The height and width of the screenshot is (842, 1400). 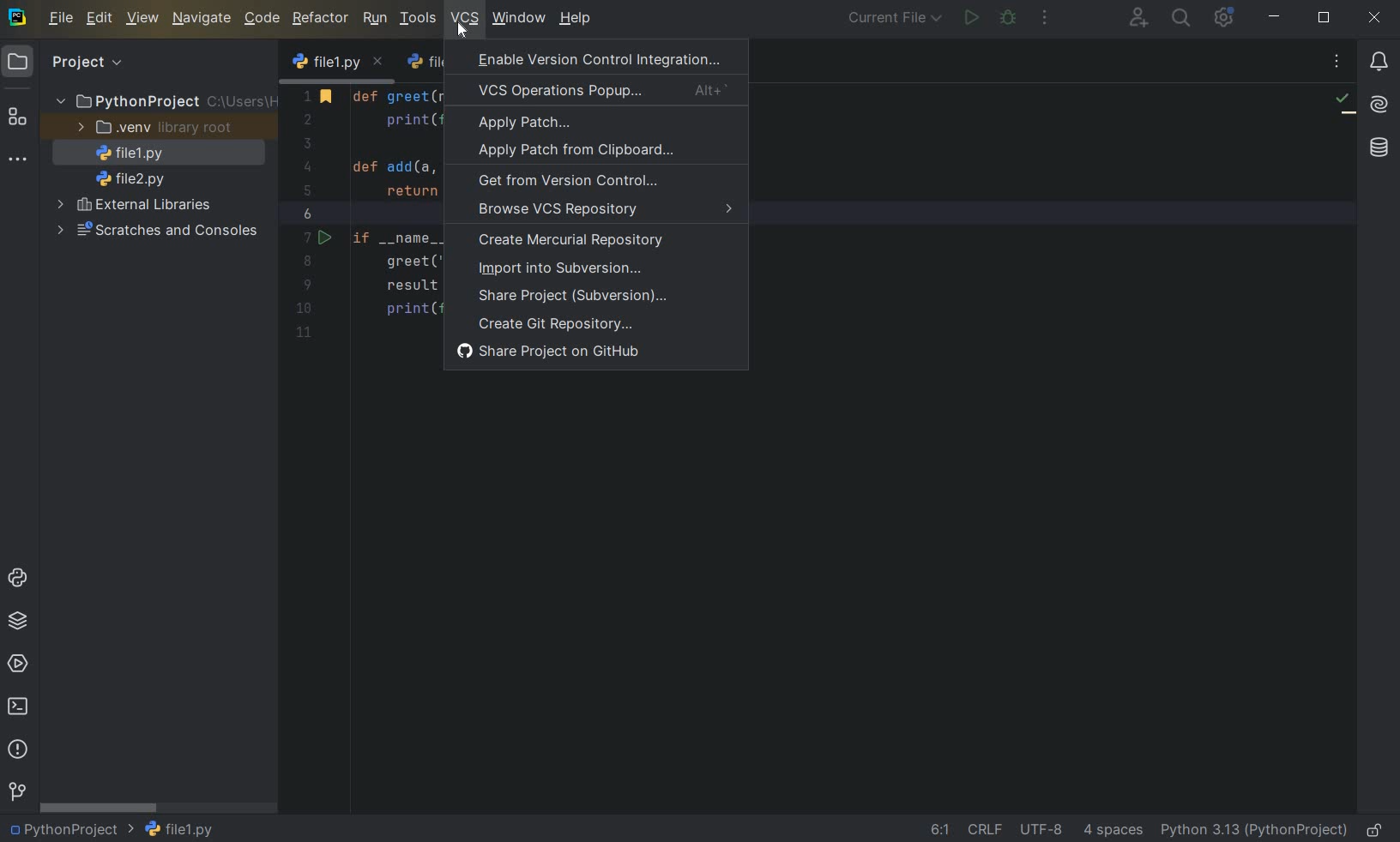 What do you see at coordinates (61, 20) in the screenshot?
I see `file` at bounding box center [61, 20].